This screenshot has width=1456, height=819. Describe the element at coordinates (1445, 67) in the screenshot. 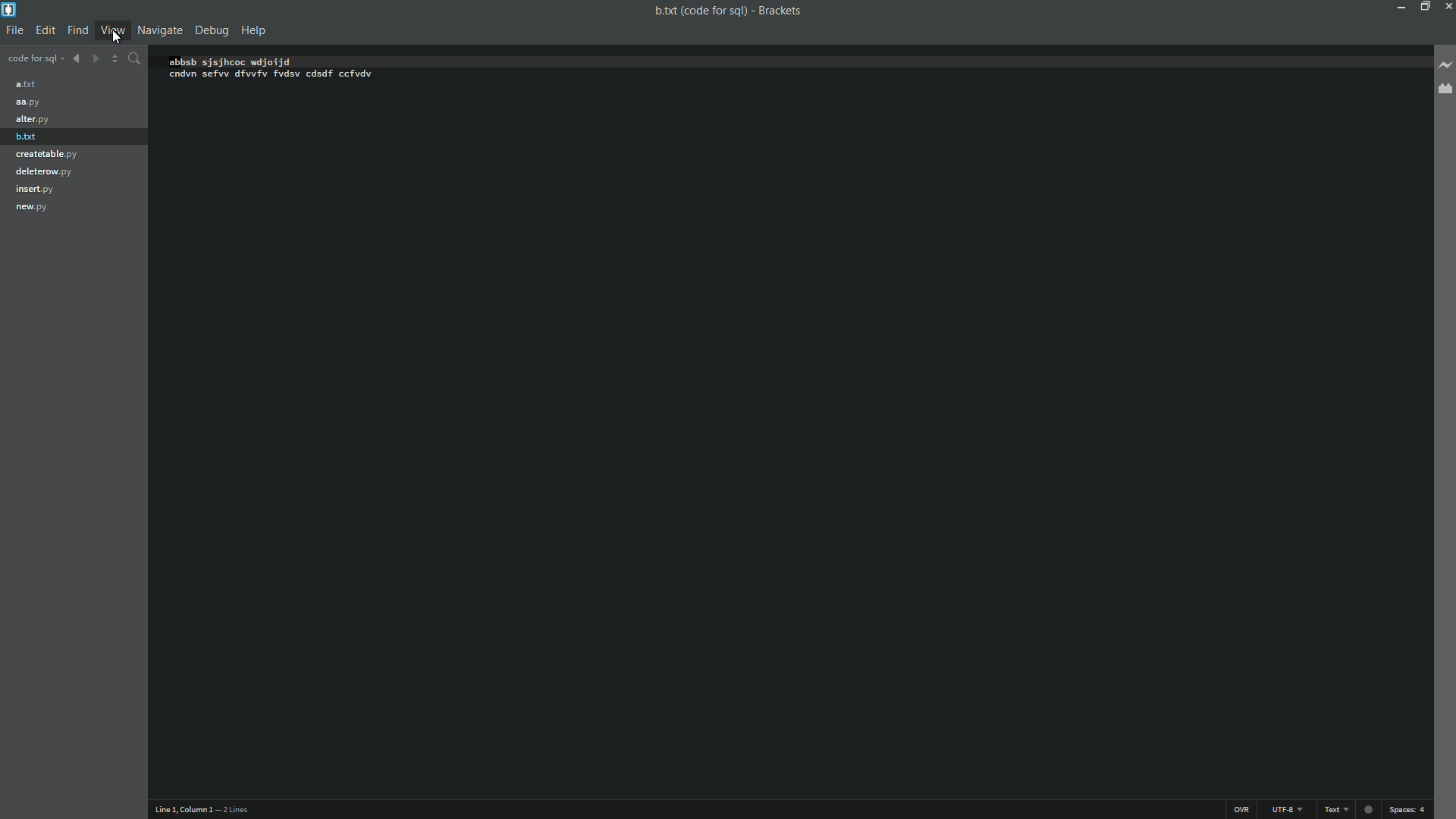

I see `Live preview` at that location.